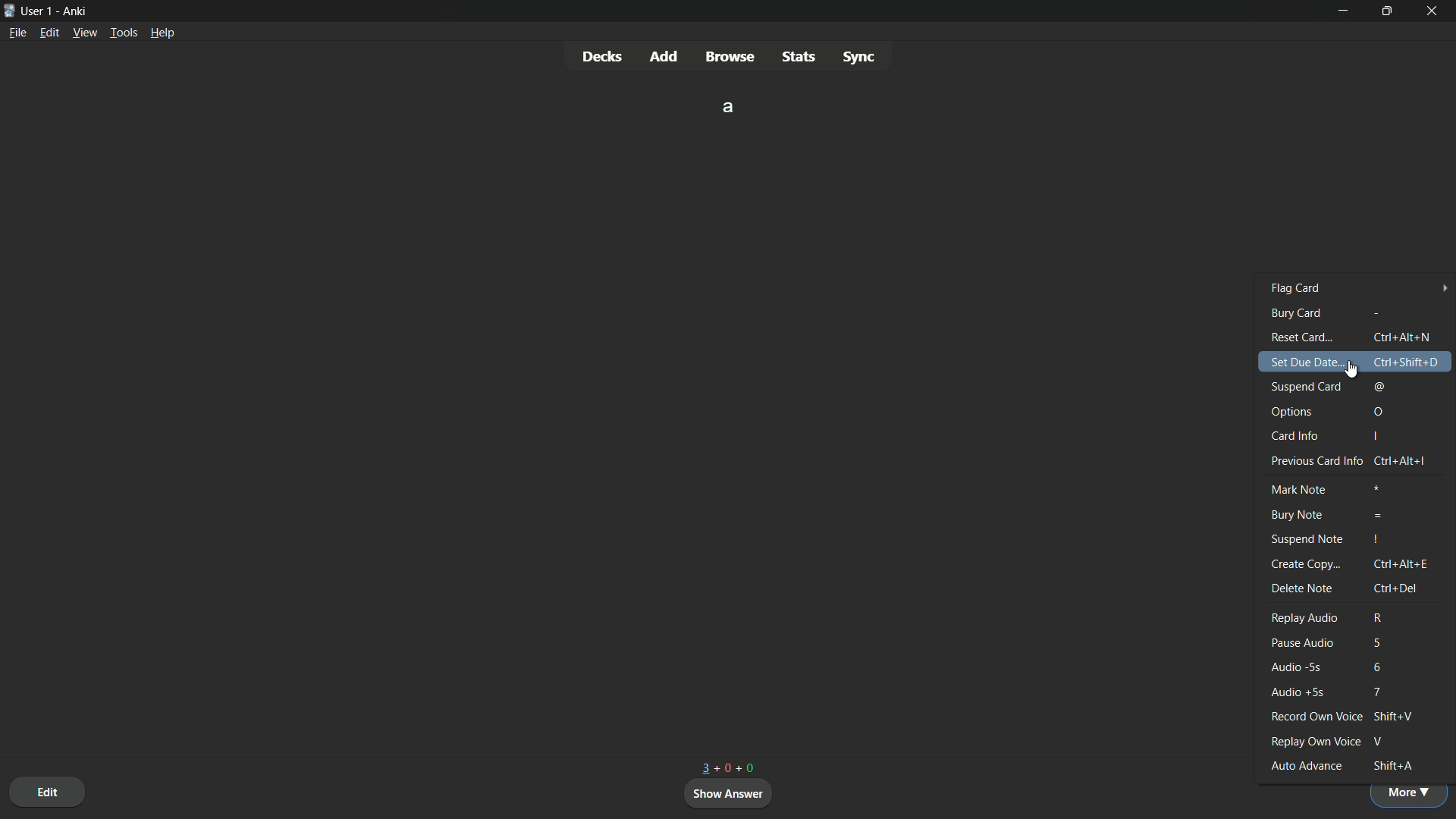 The width and height of the screenshot is (1456, 819). What do you see at coordinates (730, 106) in the screenshot?
I see `a` at bounding box center [730, 106].